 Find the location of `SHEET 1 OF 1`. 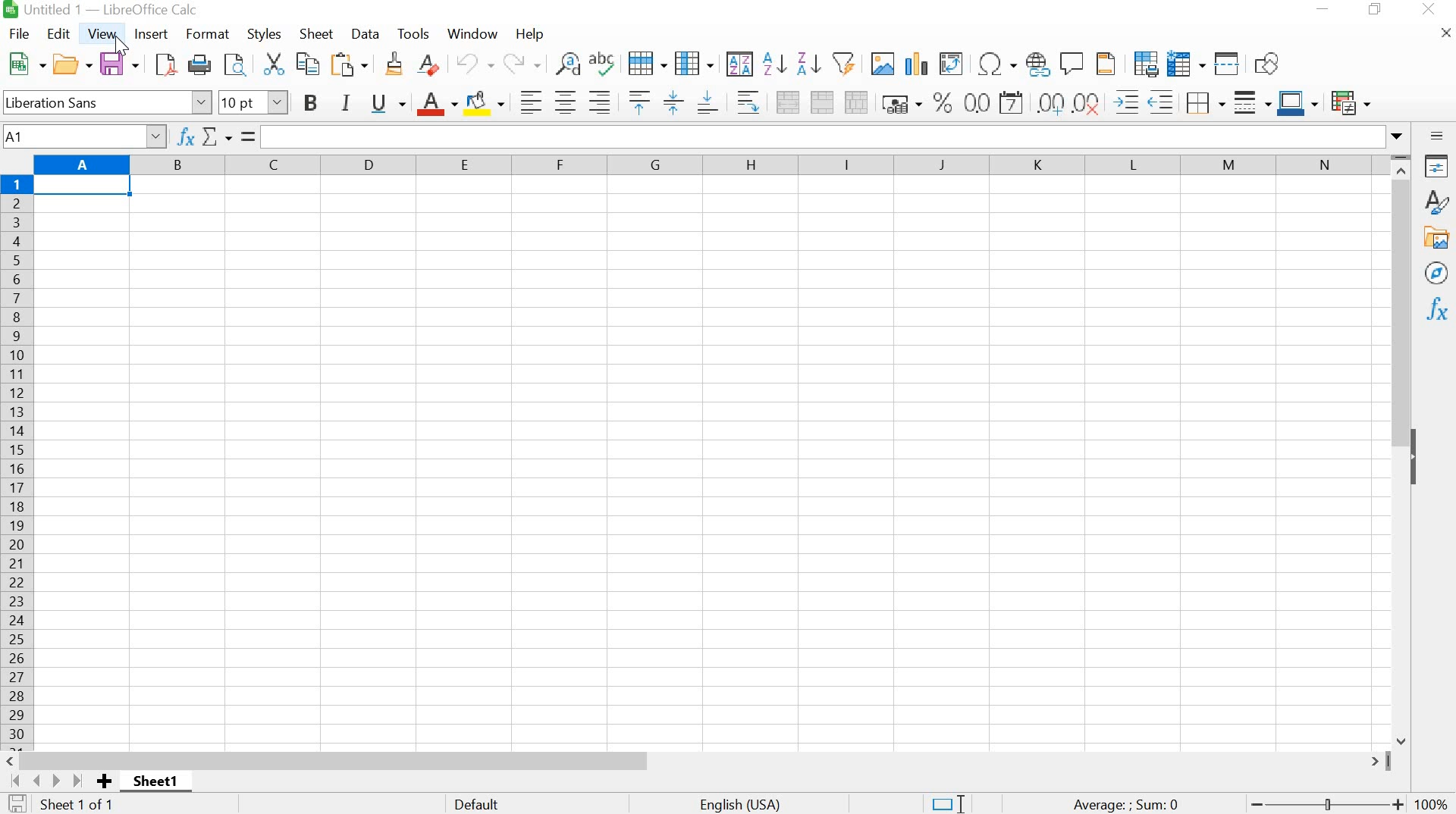

SHEET 1 OF 1 is located at coordinates (86, 805).